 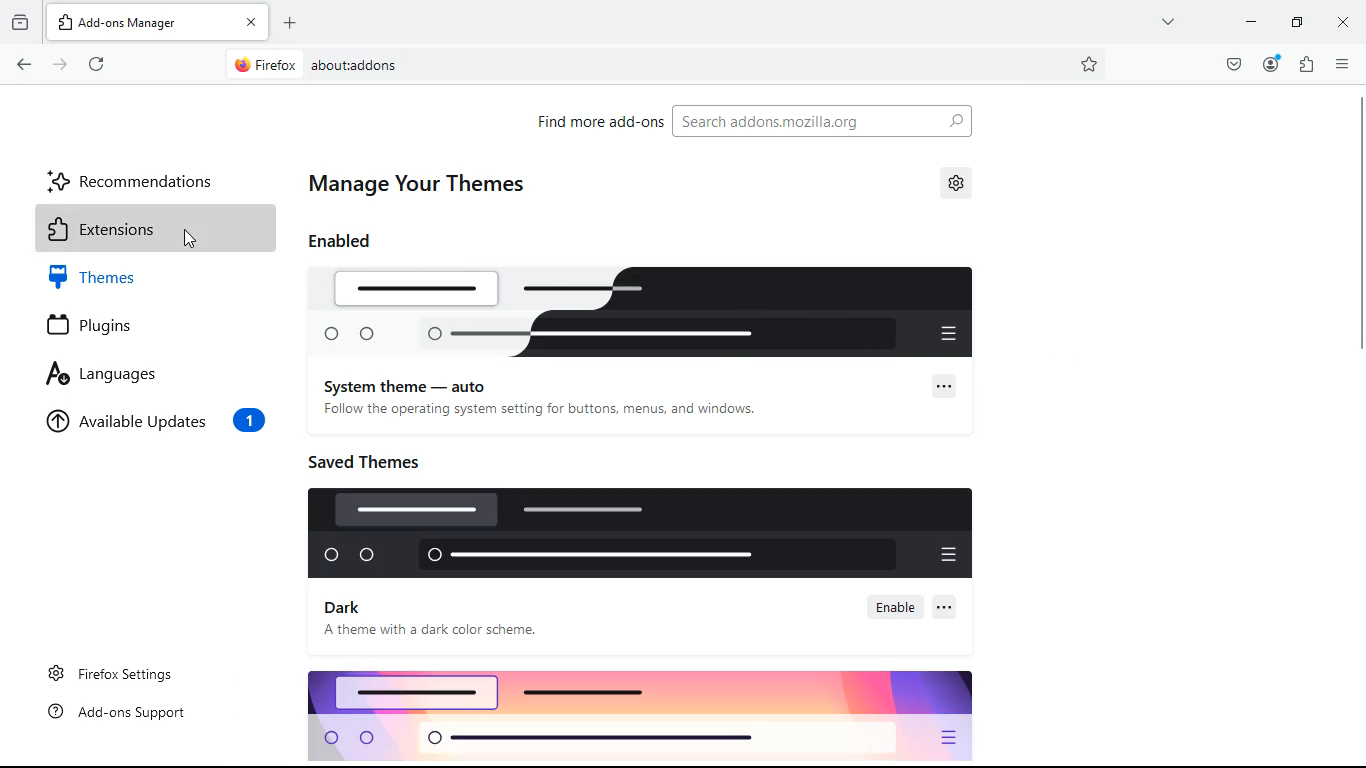 I want to click on available updates, so click(x=155, y=423).